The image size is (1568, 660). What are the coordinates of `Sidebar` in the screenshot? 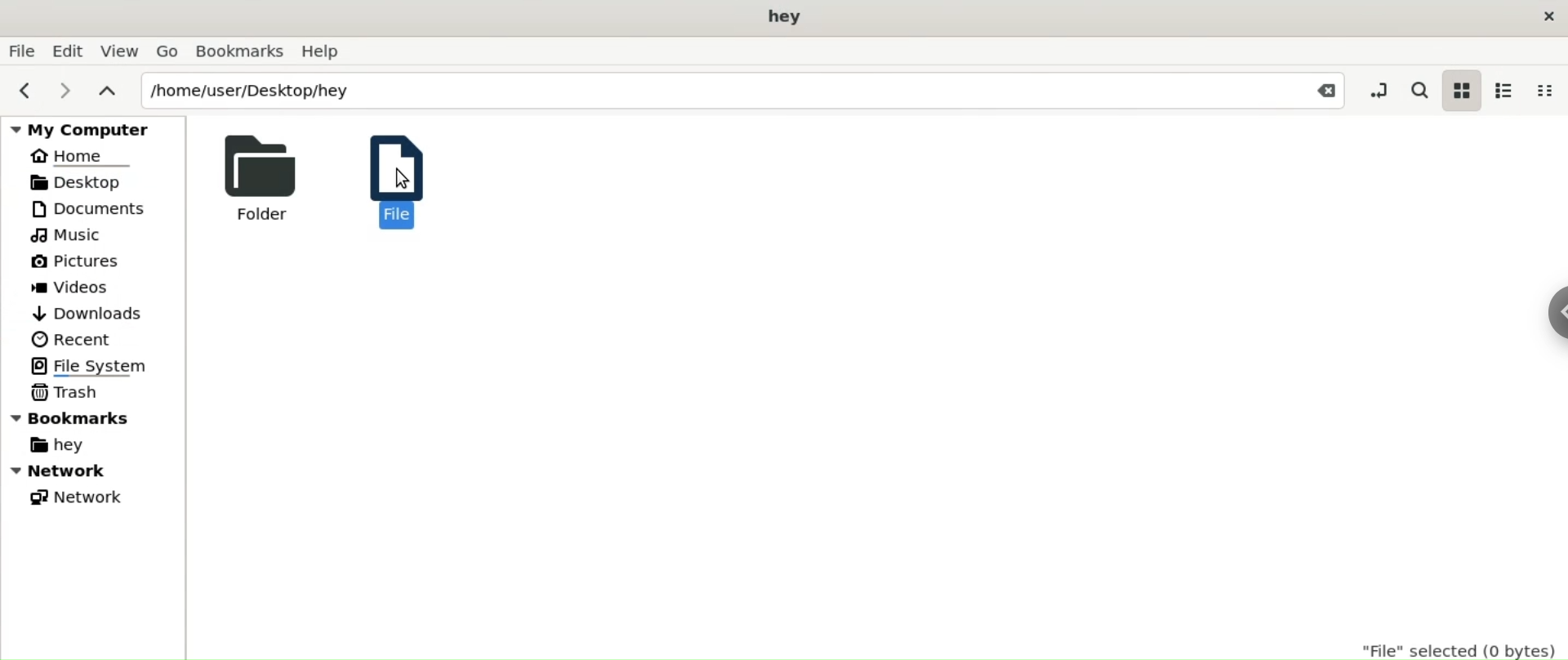 It's located at (1551, 328).